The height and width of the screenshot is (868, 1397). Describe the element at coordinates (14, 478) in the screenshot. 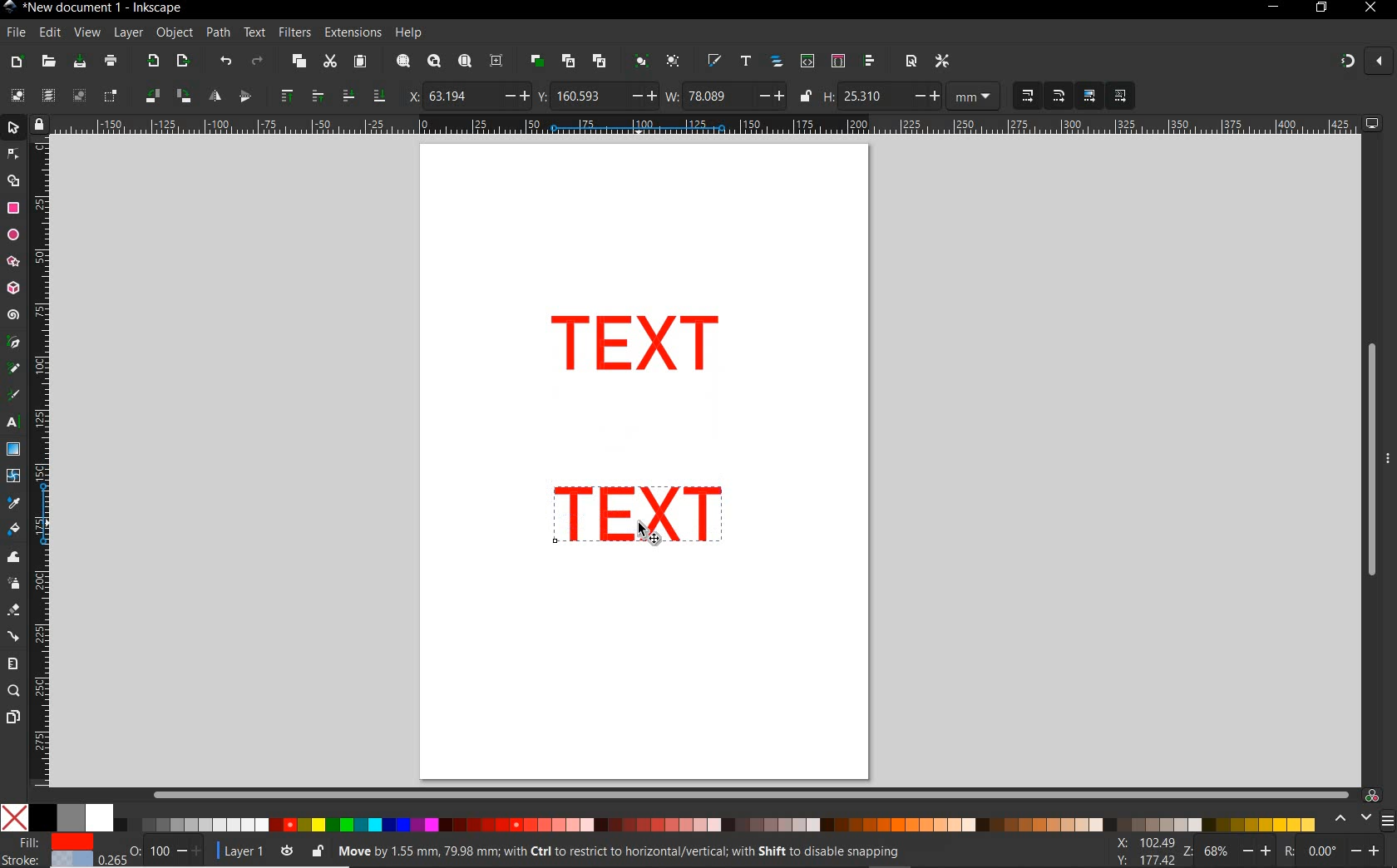

I see `mesh tool` at that location.